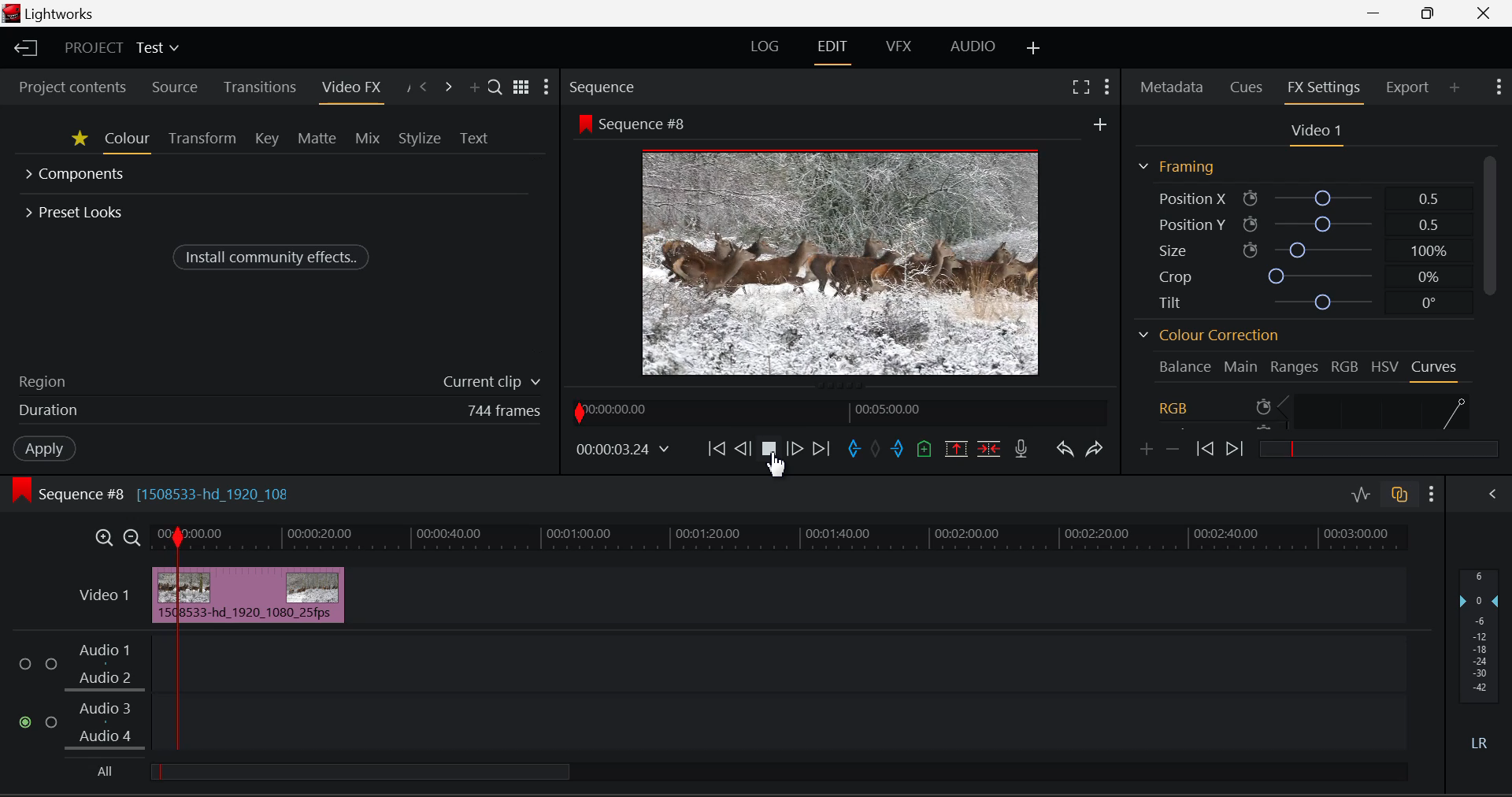  Describe the element at coordinates (424, 86) in the screenshot. I see `Previous Panel` at that location.